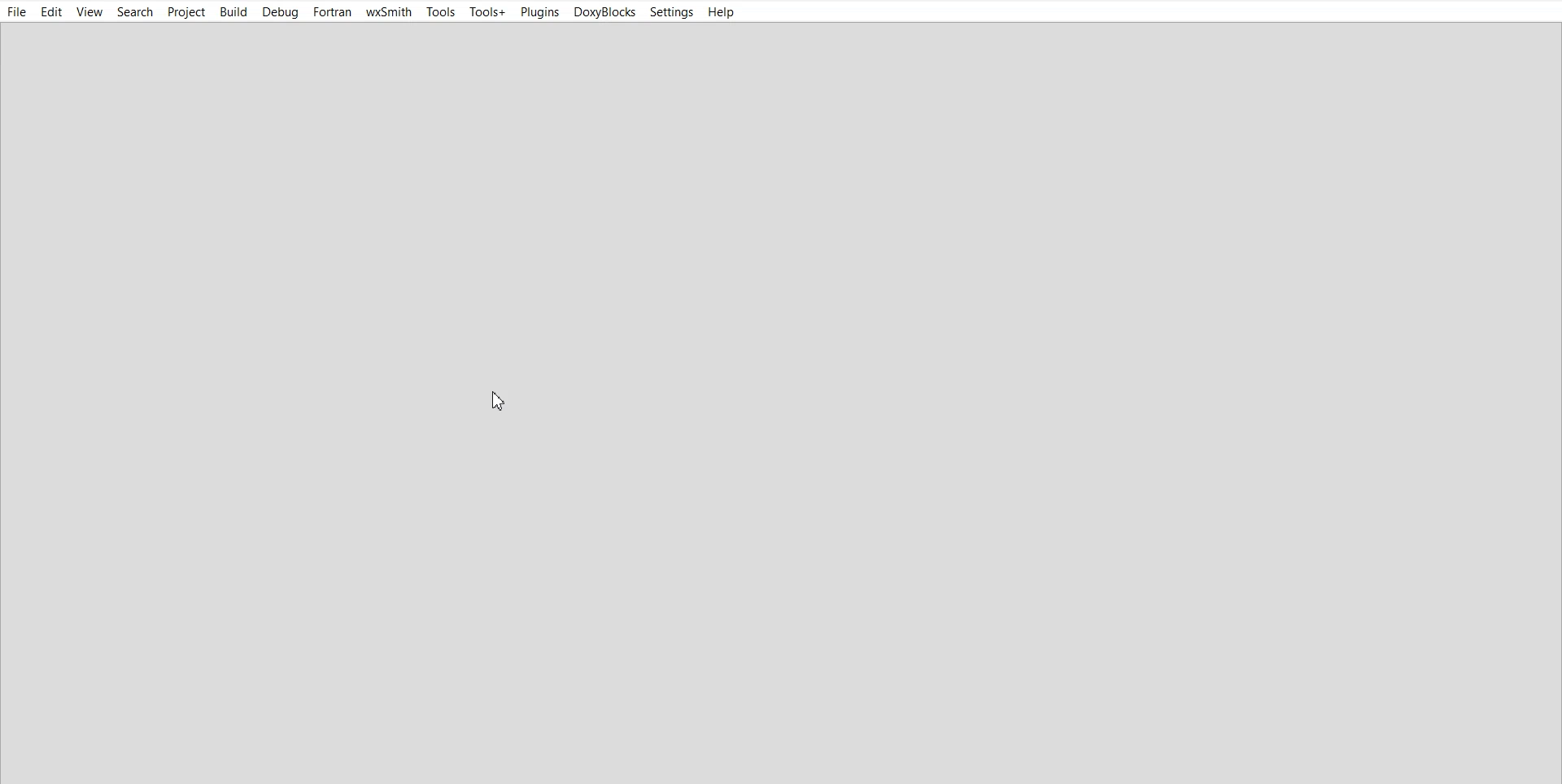 This screenshot has width=1562, height=784. I want to click on Help, so click(723, 12).